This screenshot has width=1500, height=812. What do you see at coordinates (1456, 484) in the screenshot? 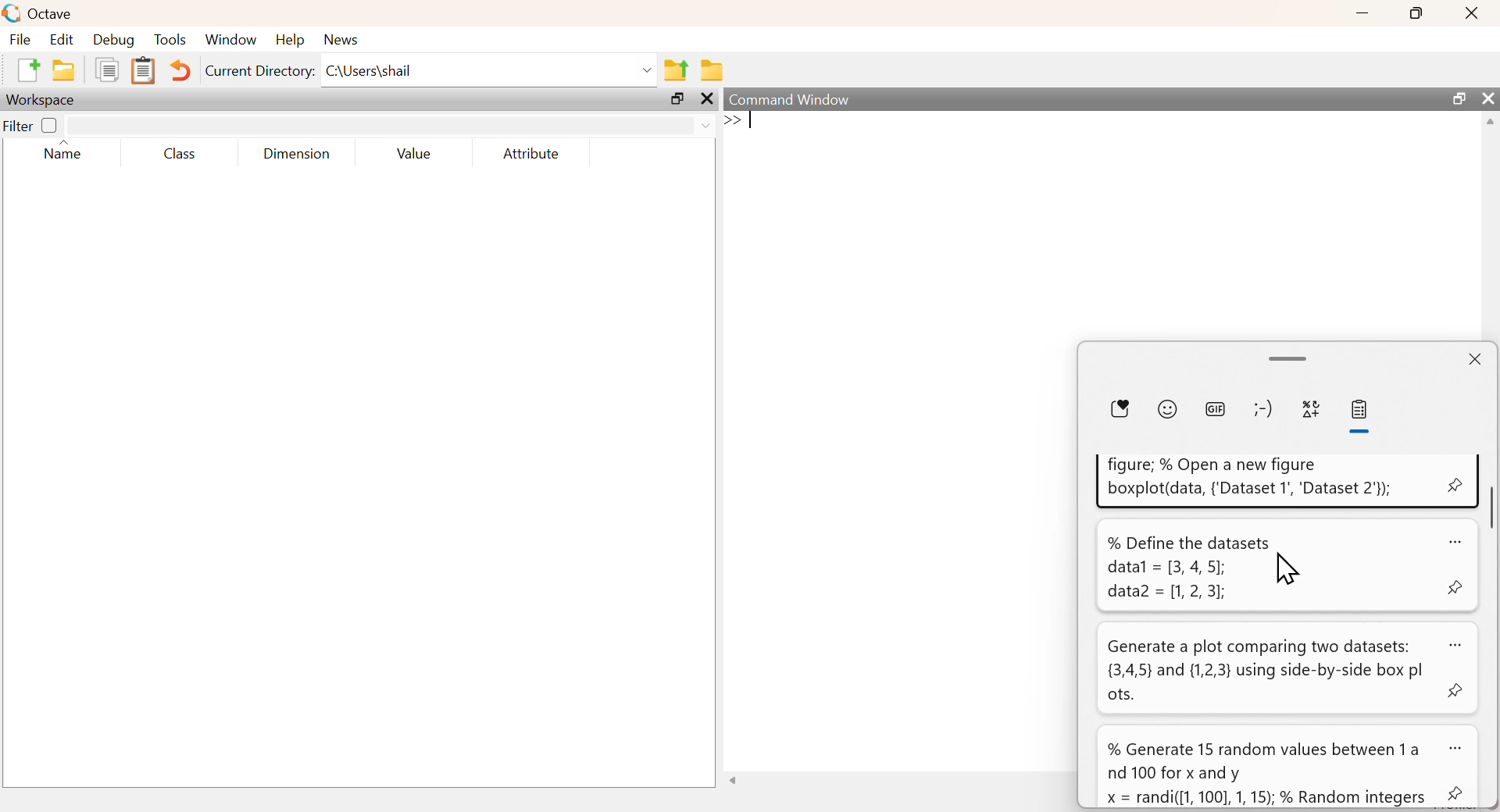
I see `pin` at bounding box center [1456, 484].